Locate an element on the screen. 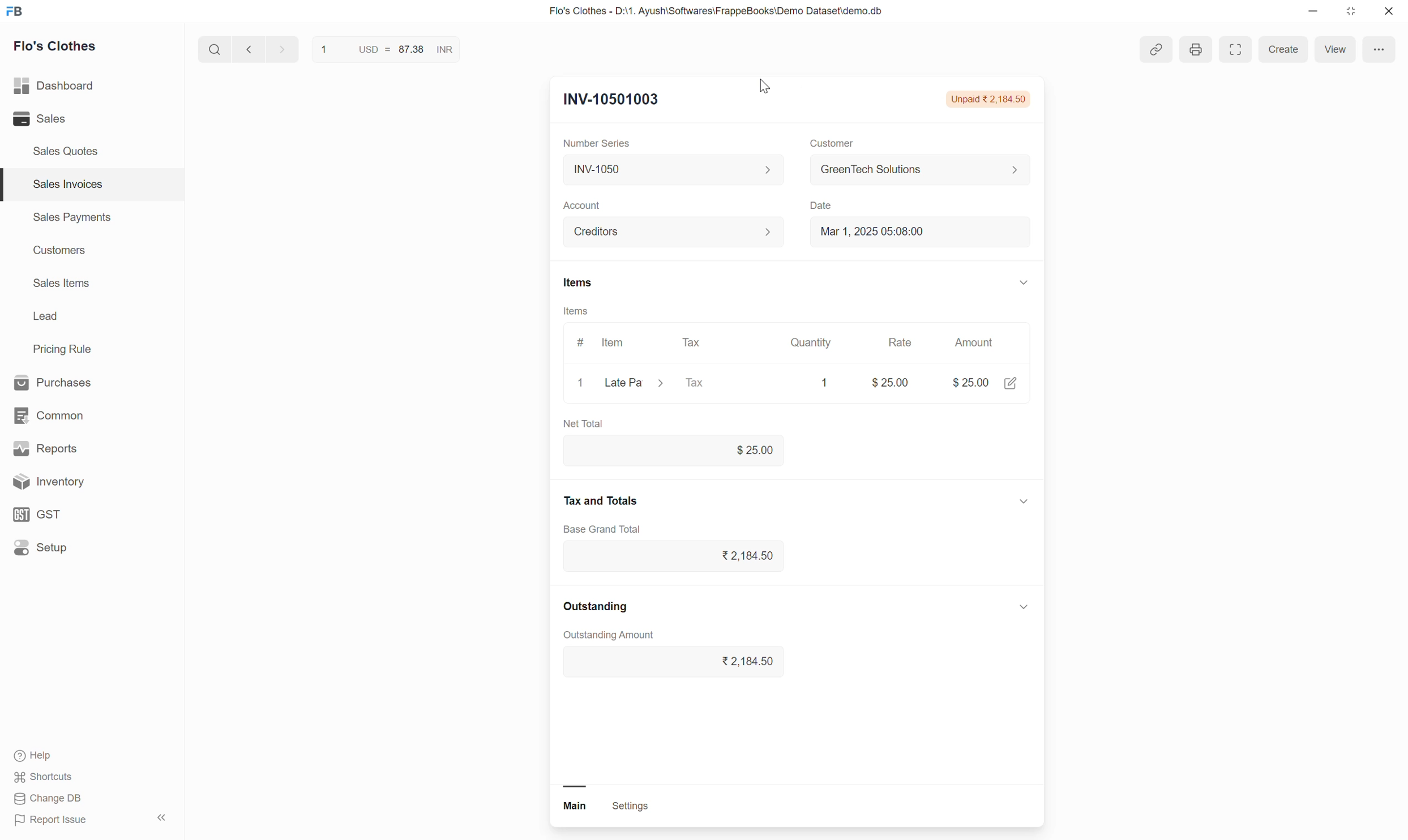  Change DB is located at coordinates (50, 800).